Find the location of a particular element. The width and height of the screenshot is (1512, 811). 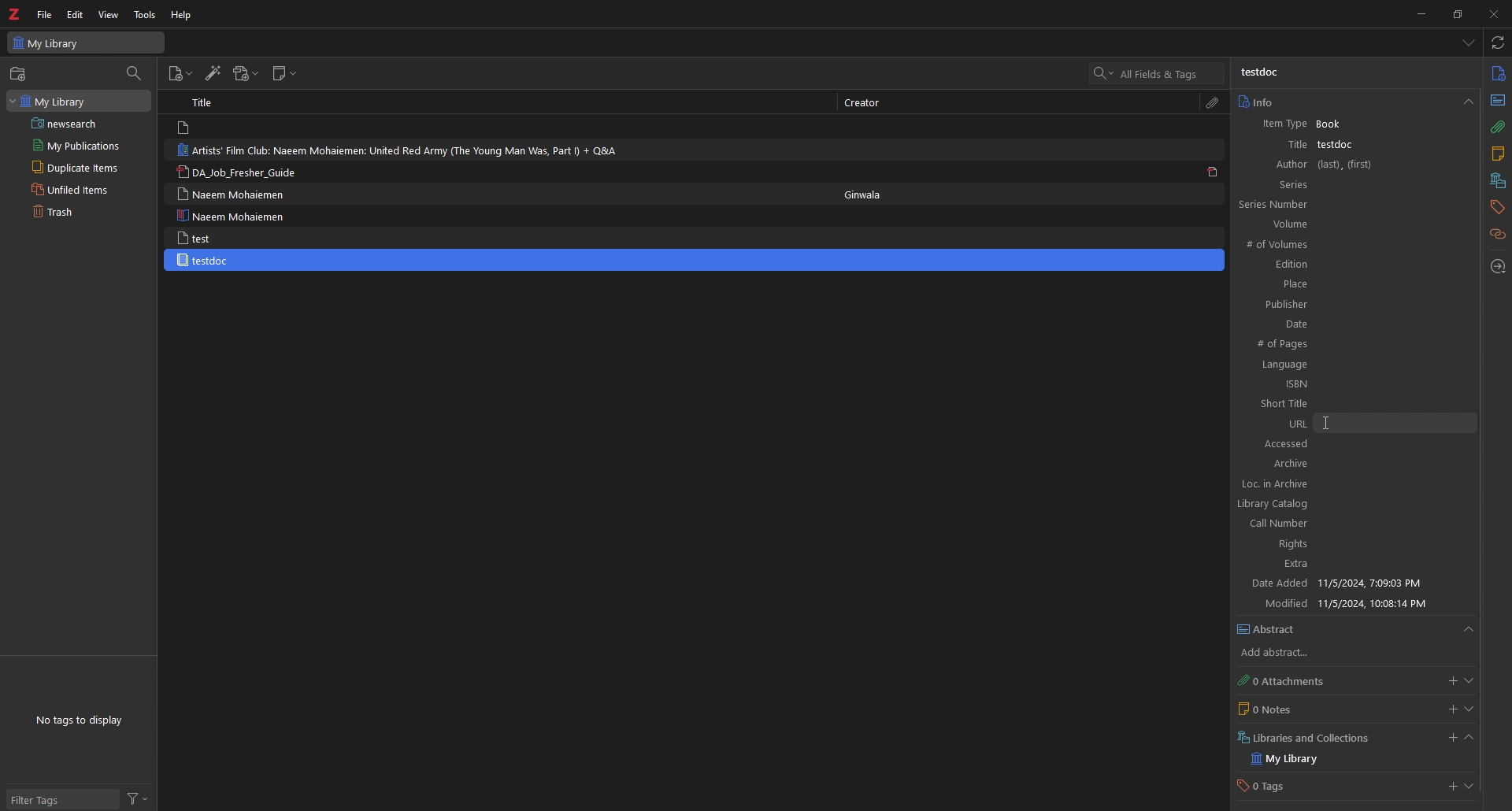

ISBN is located at coordinates (1342, 383).